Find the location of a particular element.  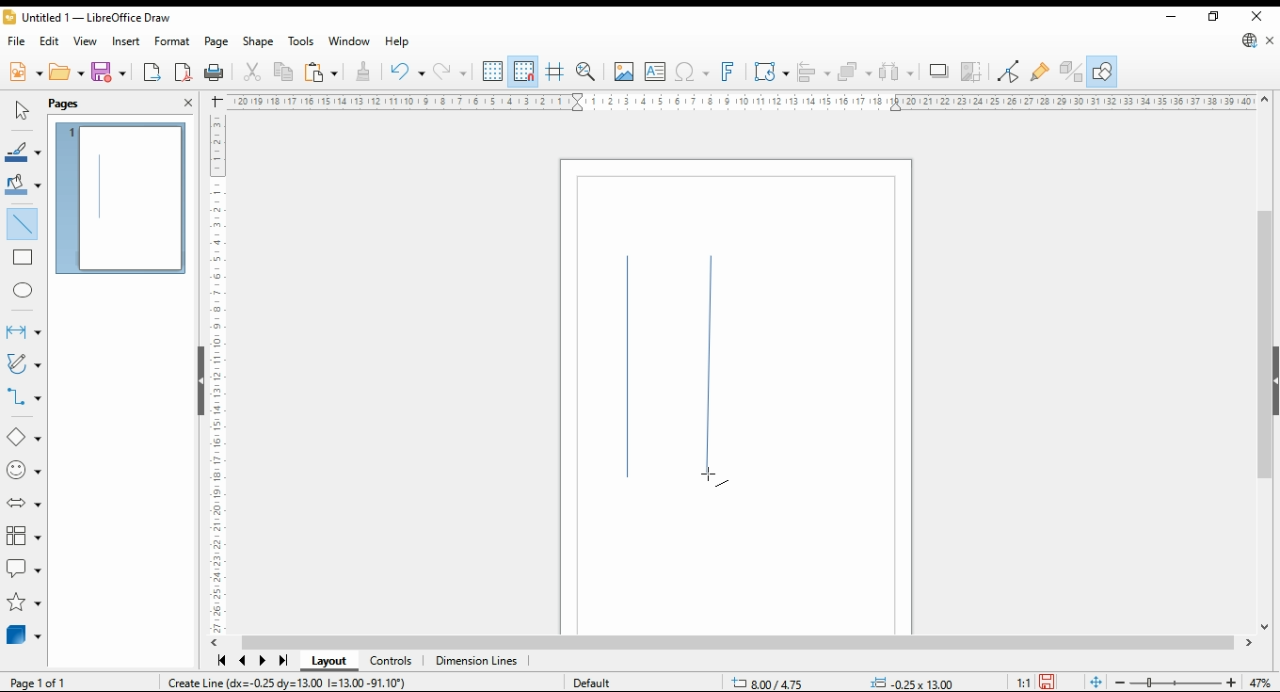

line color is located at coordinates (24, 152).